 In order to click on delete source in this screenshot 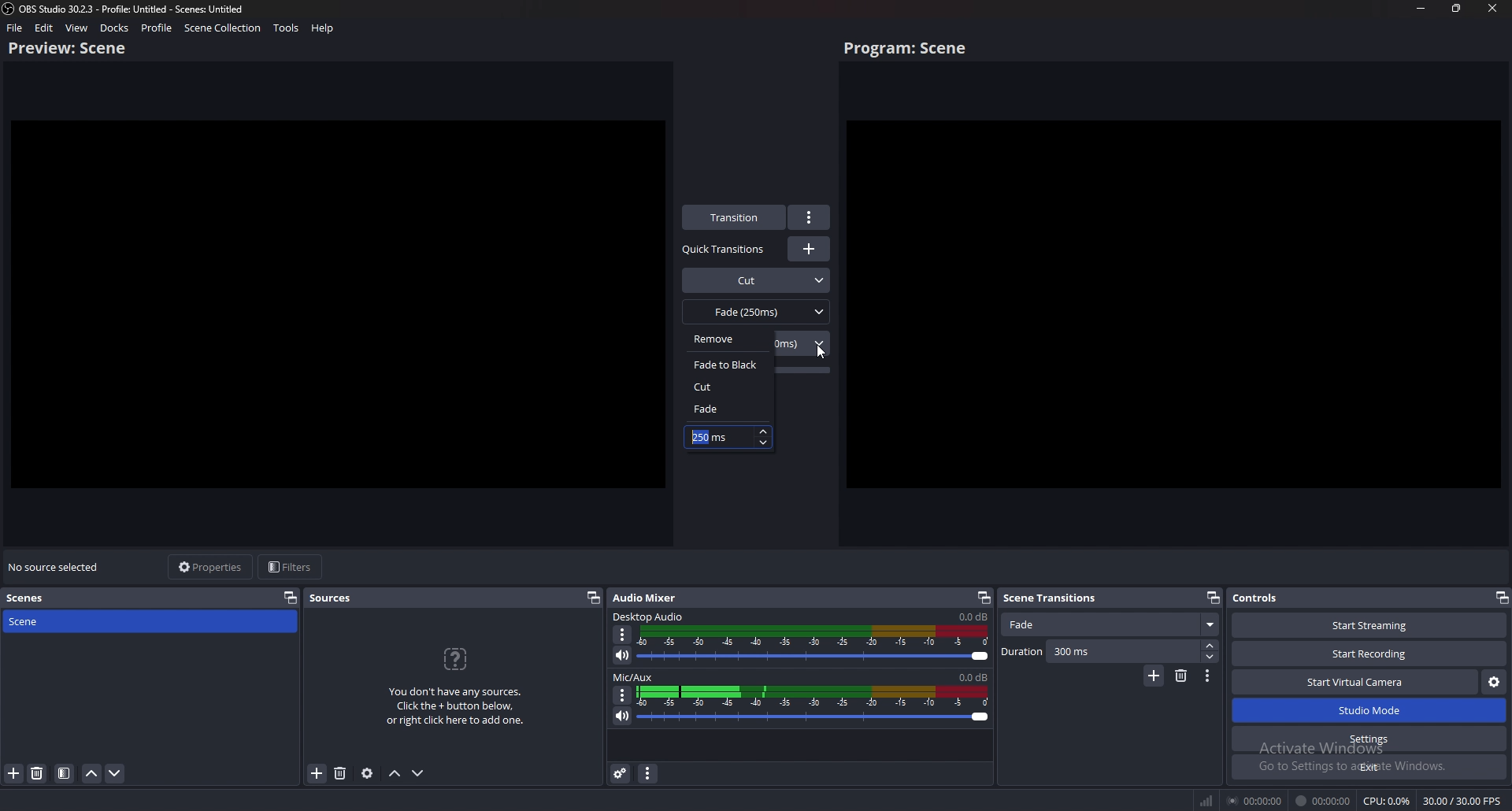, I will do `click(37, 774)`.